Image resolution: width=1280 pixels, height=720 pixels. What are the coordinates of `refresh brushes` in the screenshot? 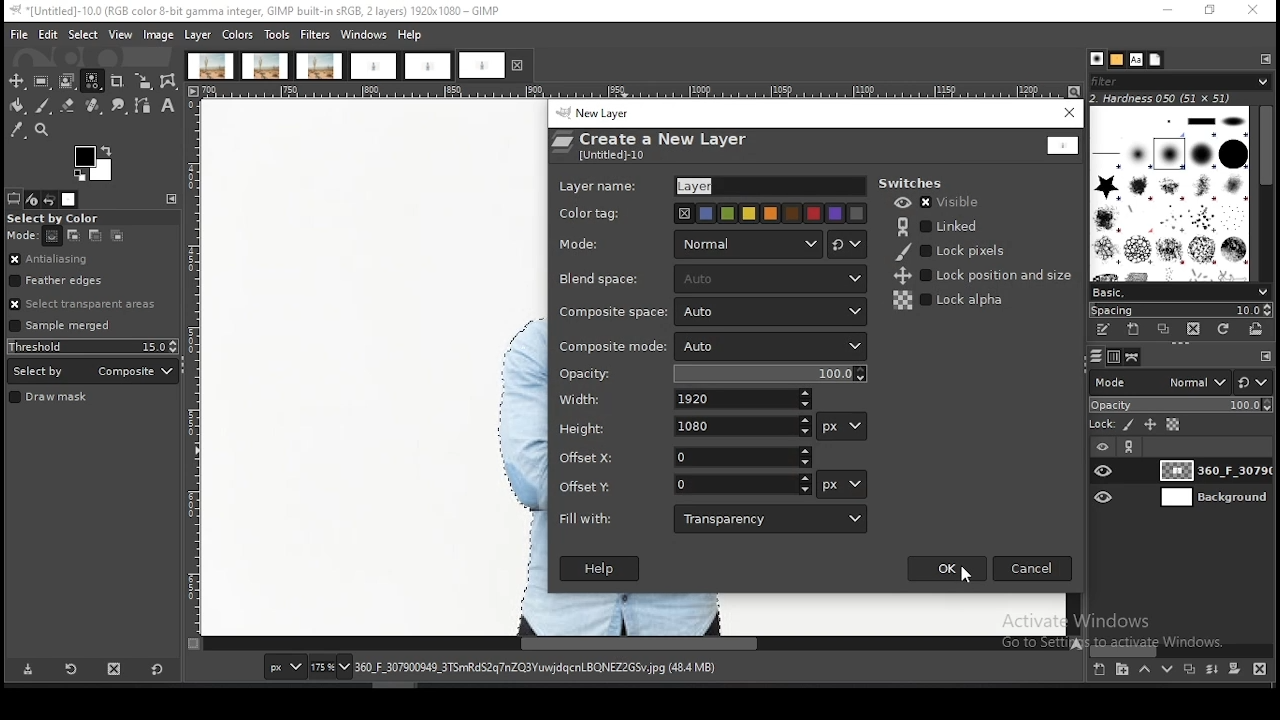 It's located at (1221, 330).